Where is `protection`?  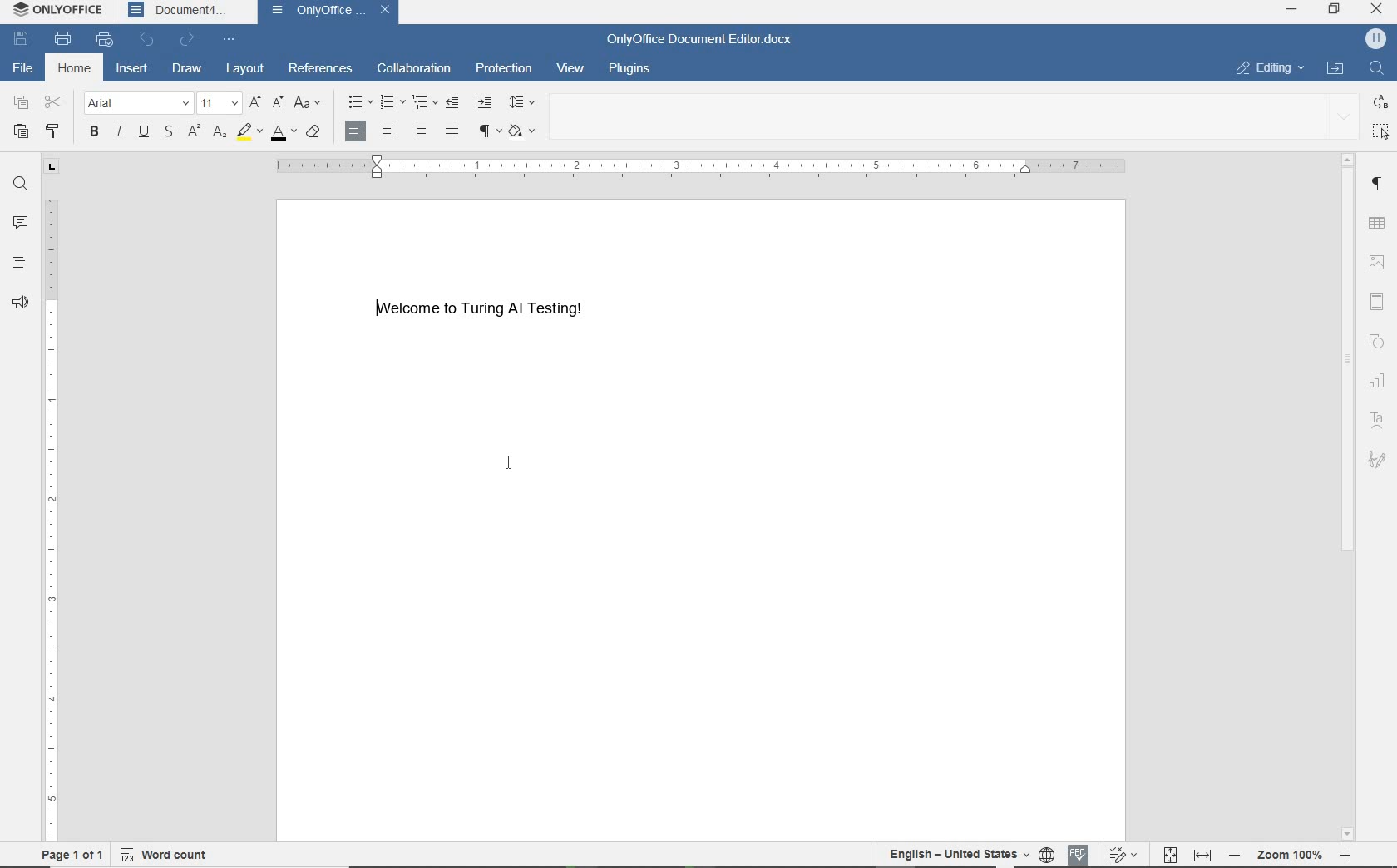
protection is located at coordinates (502, 67).